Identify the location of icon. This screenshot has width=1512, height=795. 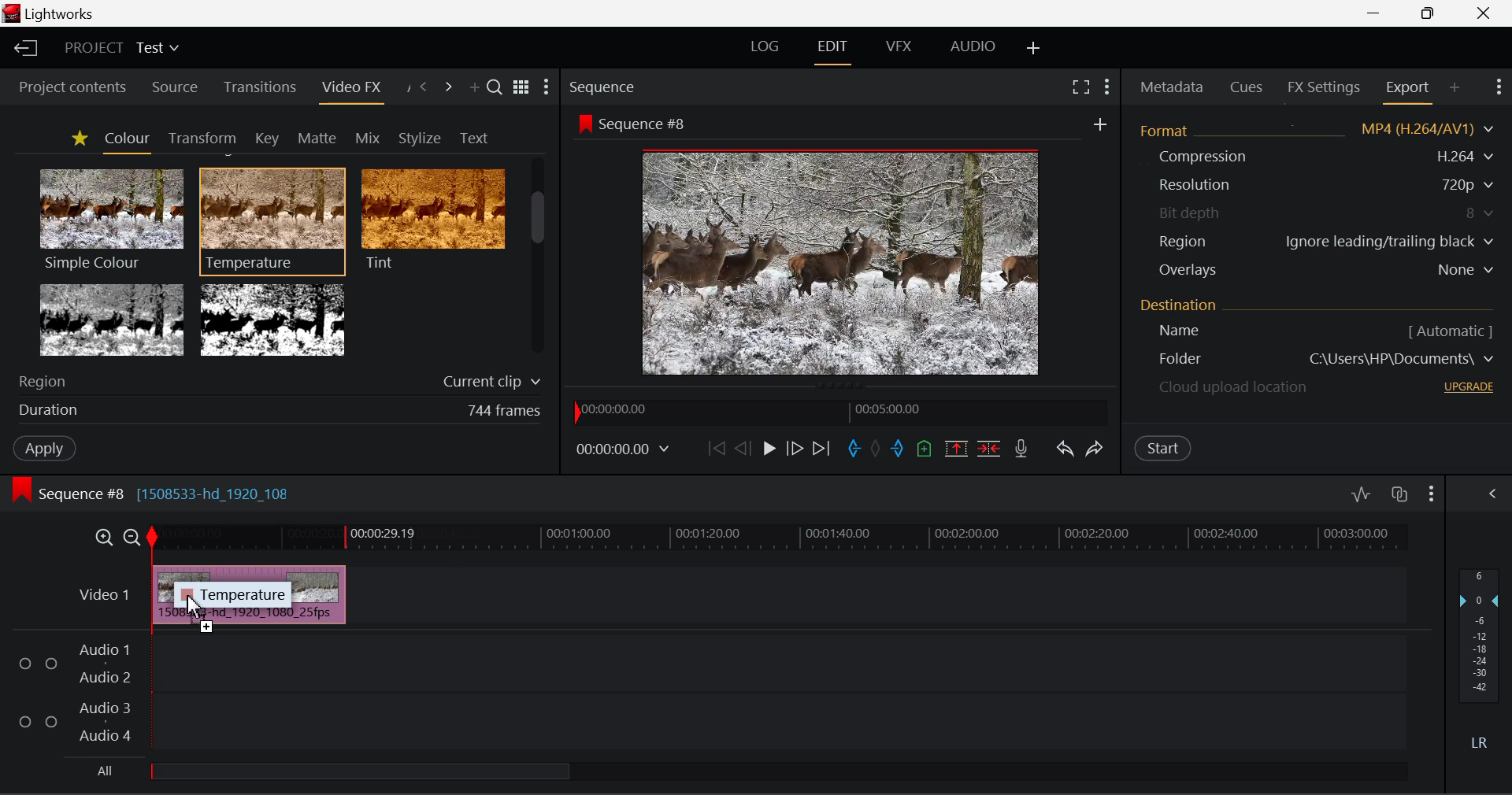
(584, 124).